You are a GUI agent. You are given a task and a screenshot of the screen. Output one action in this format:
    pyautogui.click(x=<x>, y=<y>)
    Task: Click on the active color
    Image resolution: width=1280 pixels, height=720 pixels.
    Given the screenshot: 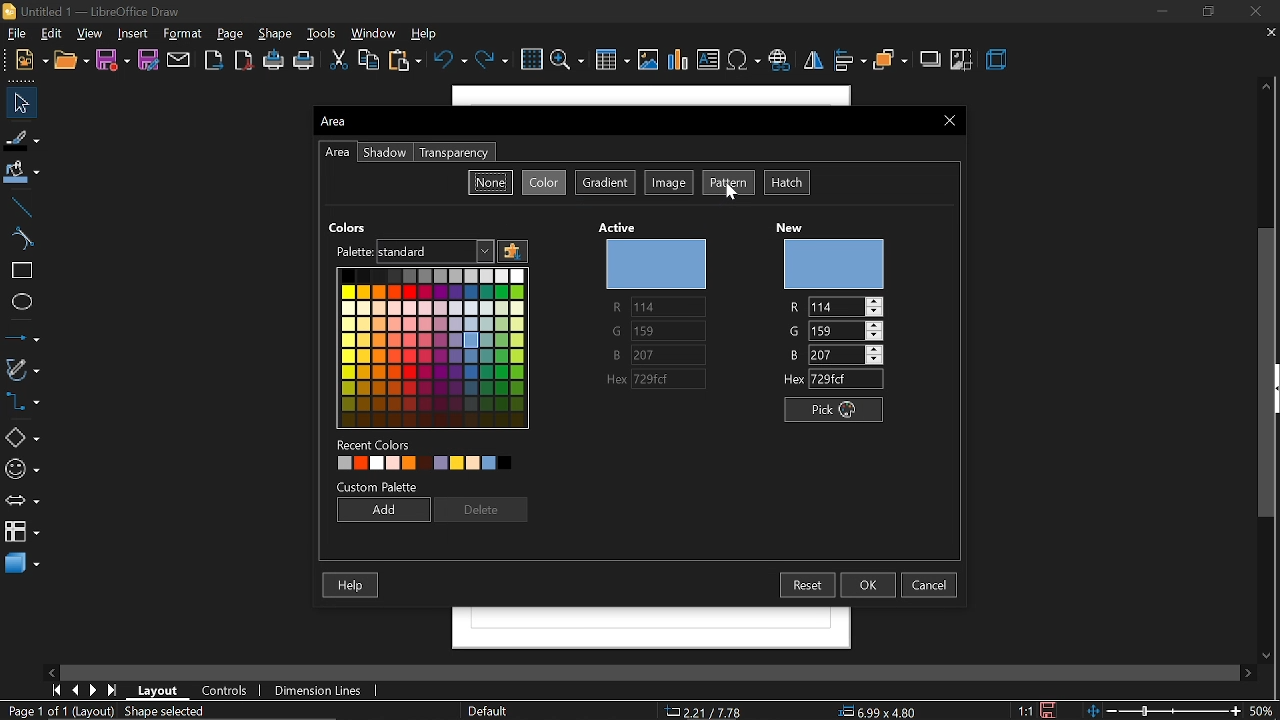 What is the action you would take?
    pyautogui.click(x=657, y=265)
    